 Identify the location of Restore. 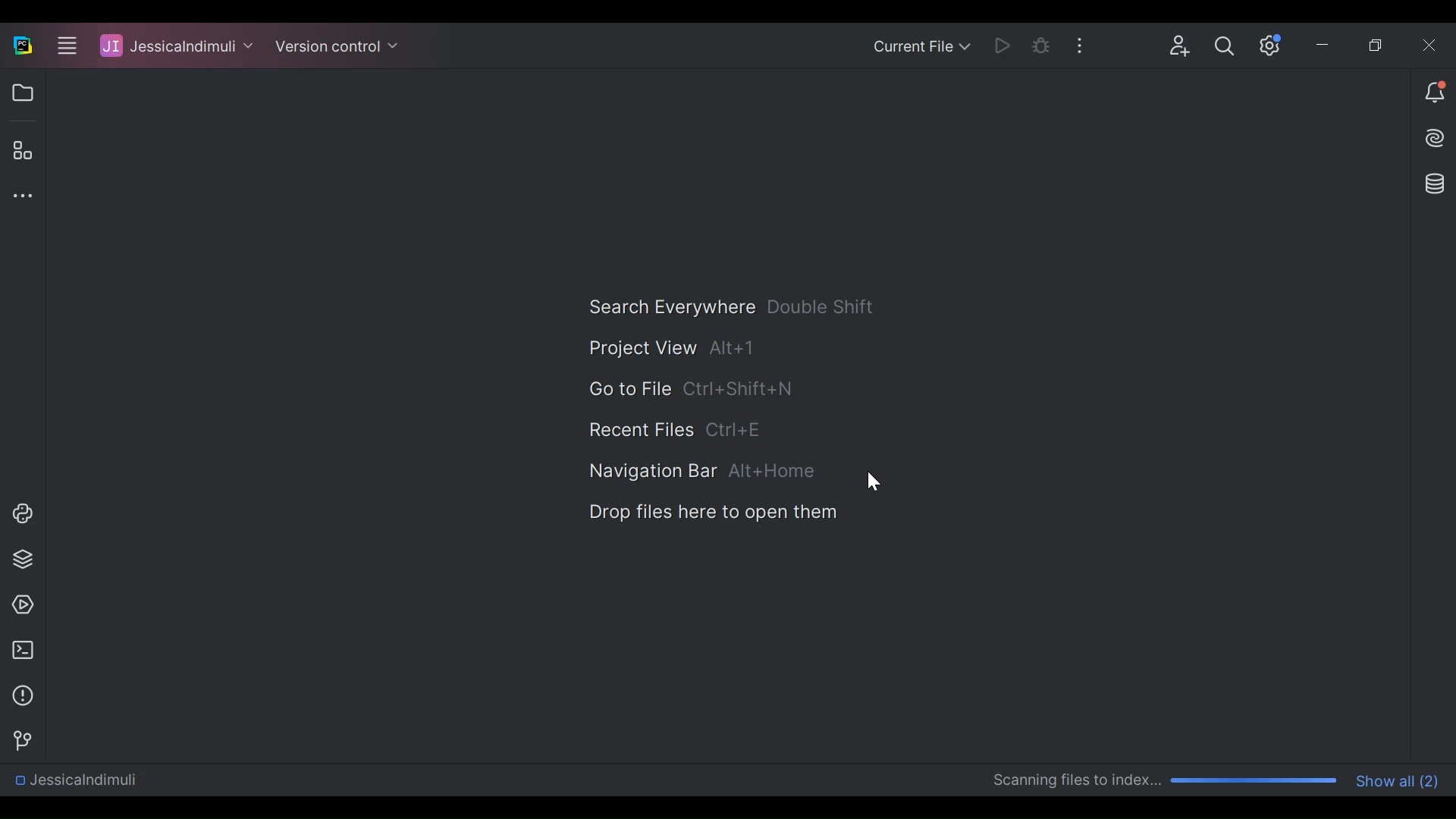
(1377, 42).